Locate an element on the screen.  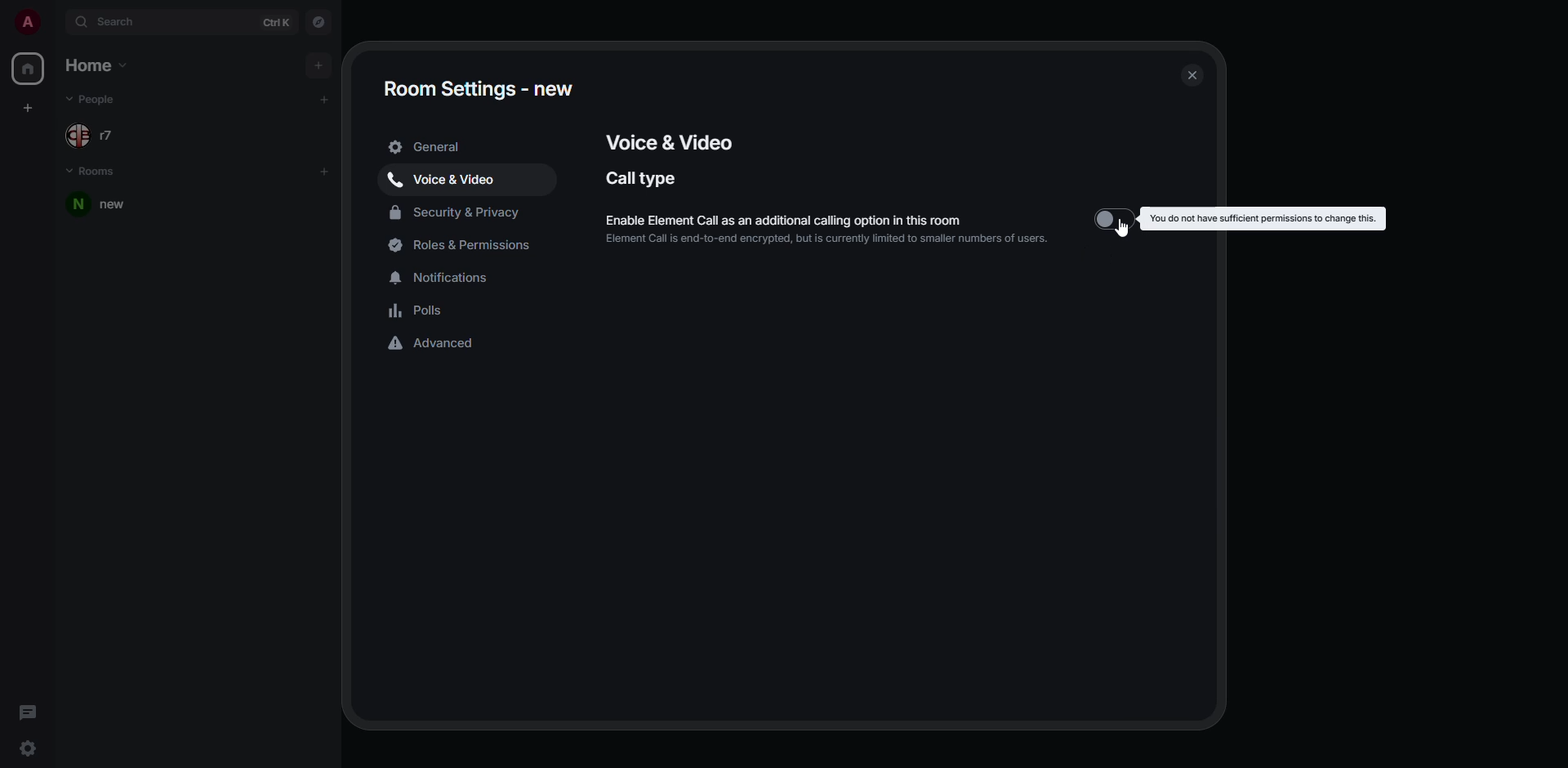
quick settings is located at coordinates (29, 748).